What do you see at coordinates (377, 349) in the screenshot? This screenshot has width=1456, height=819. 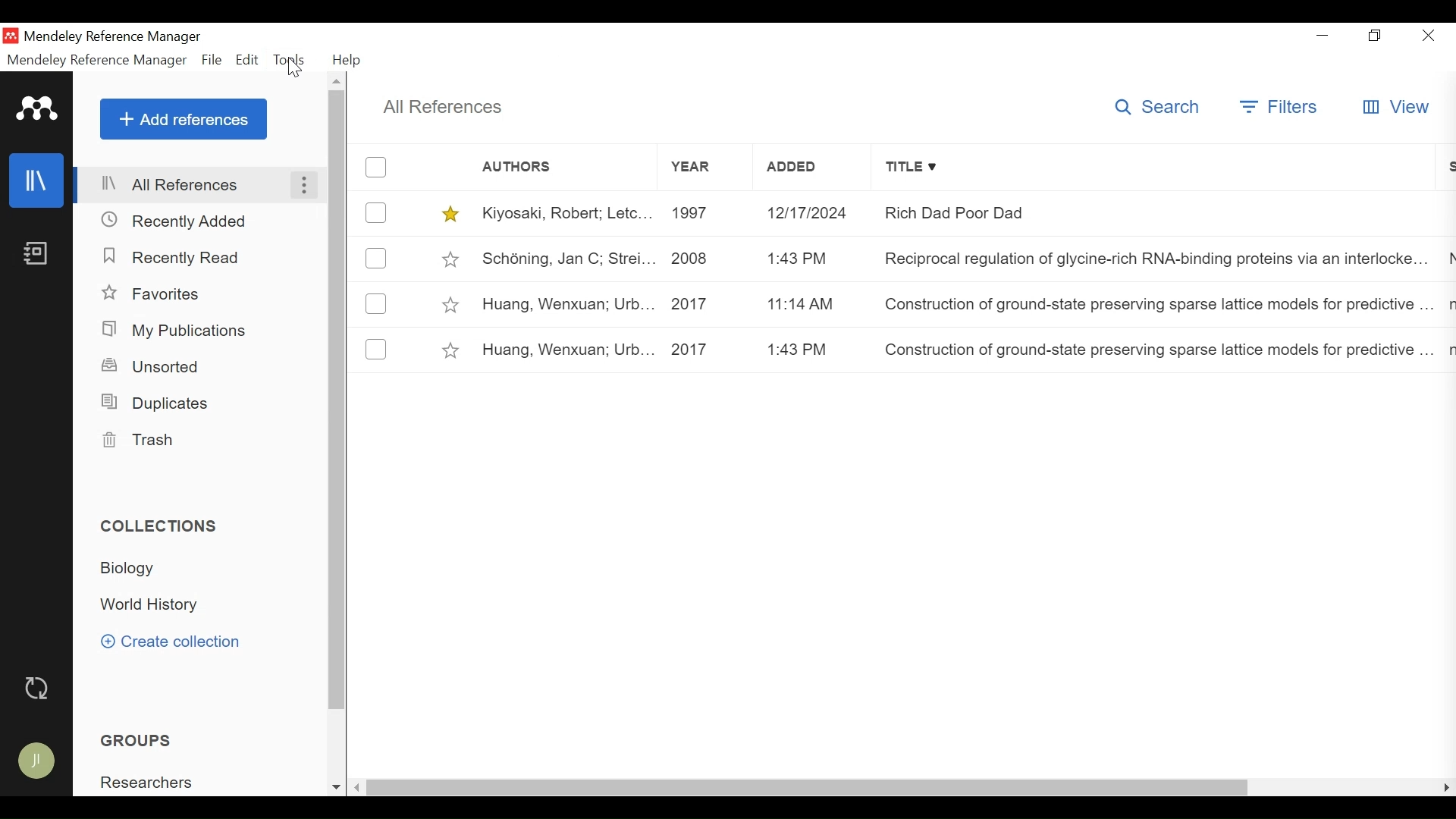 I see `(un)select` at bounding box center [377, 349].